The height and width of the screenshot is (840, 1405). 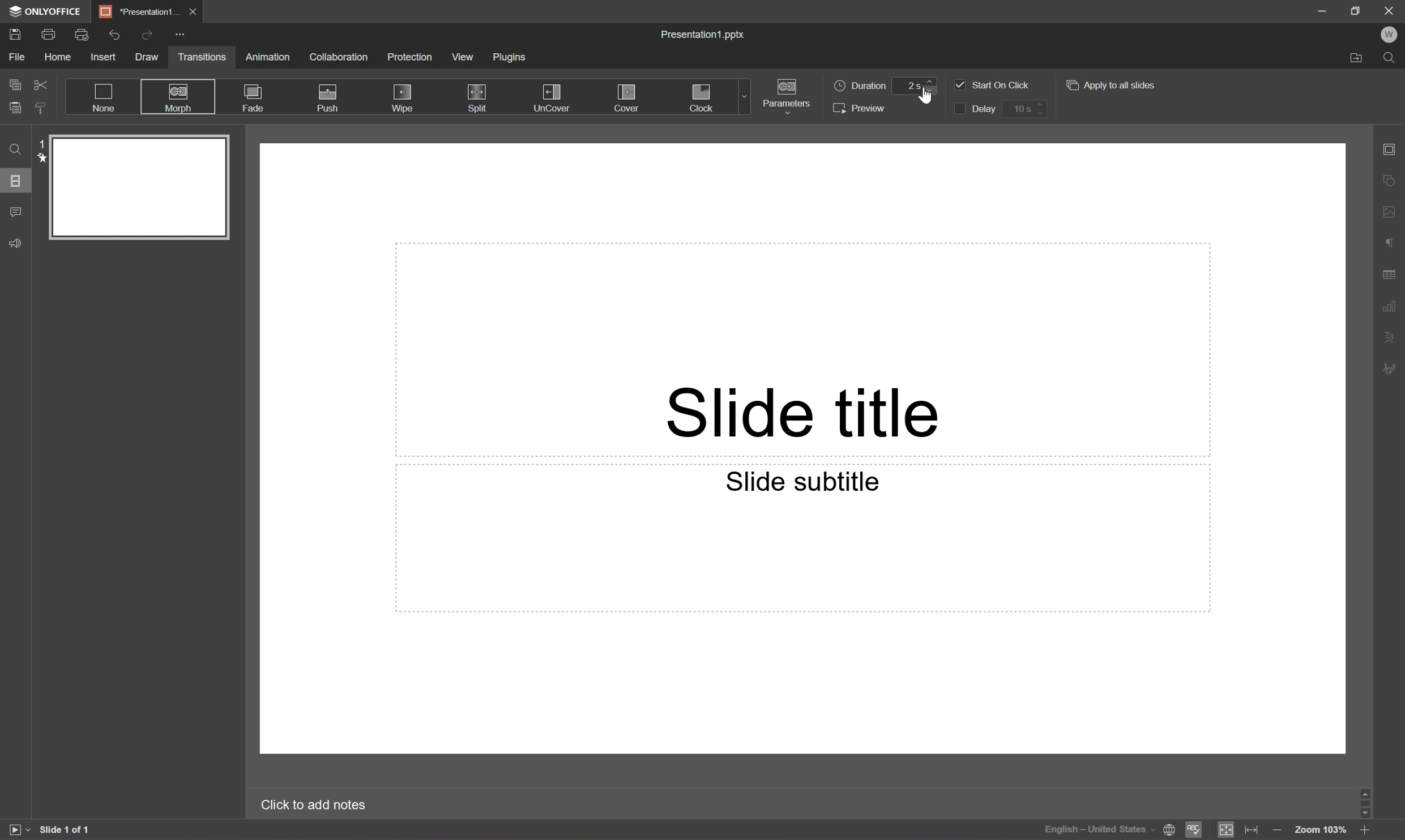 I want to click on Chart settings, so click(x=1391, y=307).